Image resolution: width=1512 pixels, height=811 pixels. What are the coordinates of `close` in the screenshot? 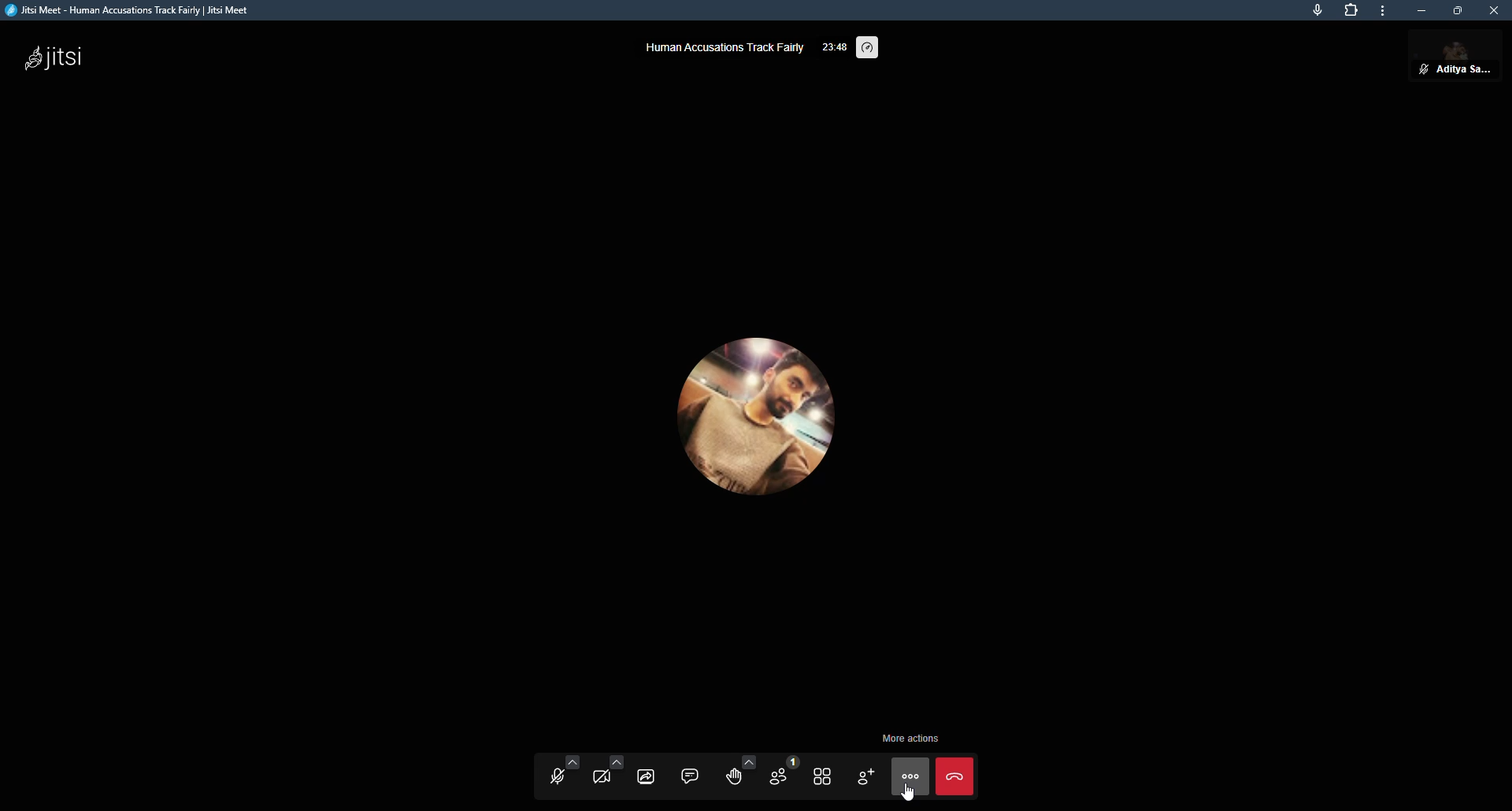 It's located at (1494, 10).